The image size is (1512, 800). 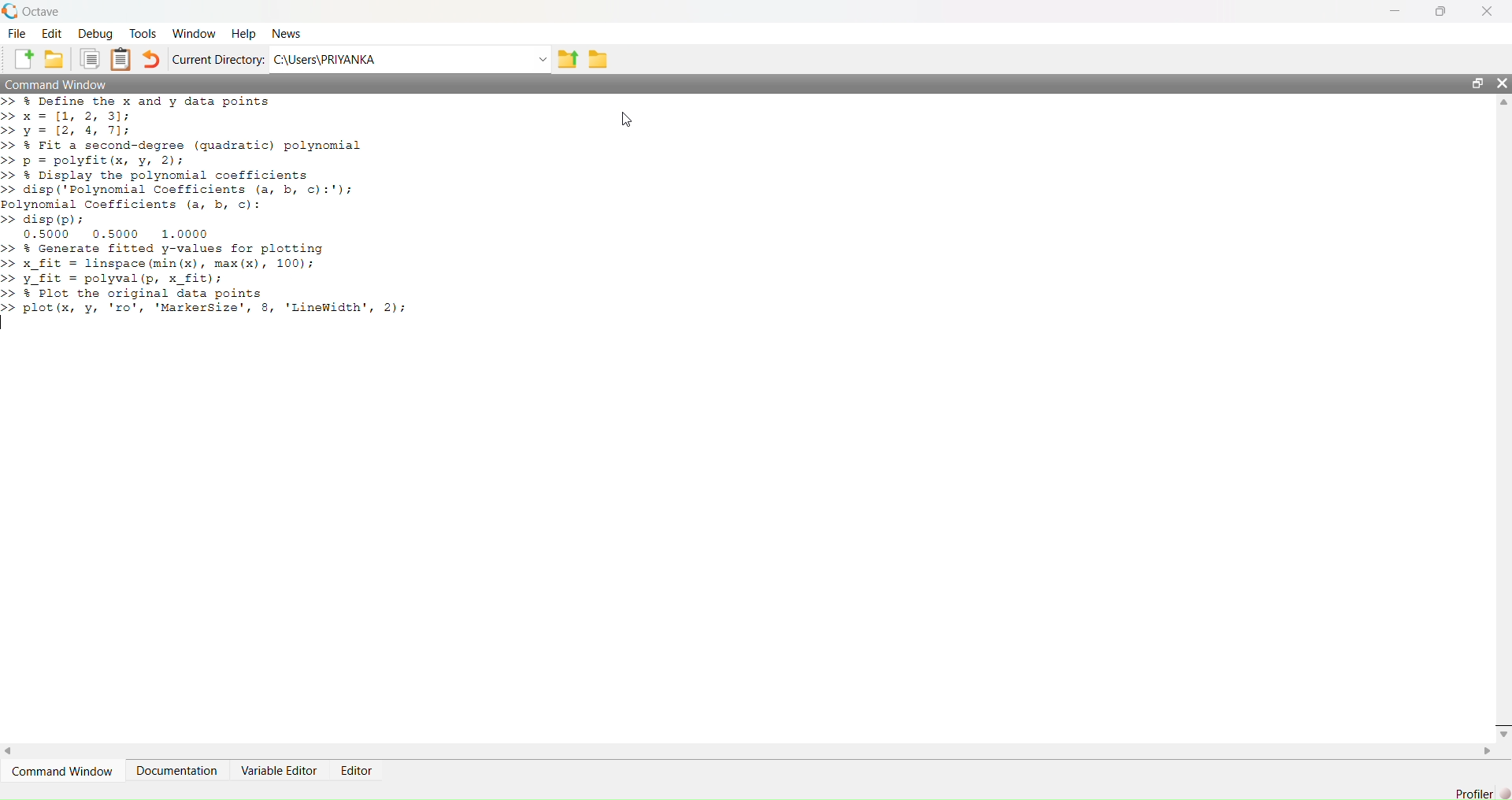 I want to click on Debug, so click(x=95, y=34).